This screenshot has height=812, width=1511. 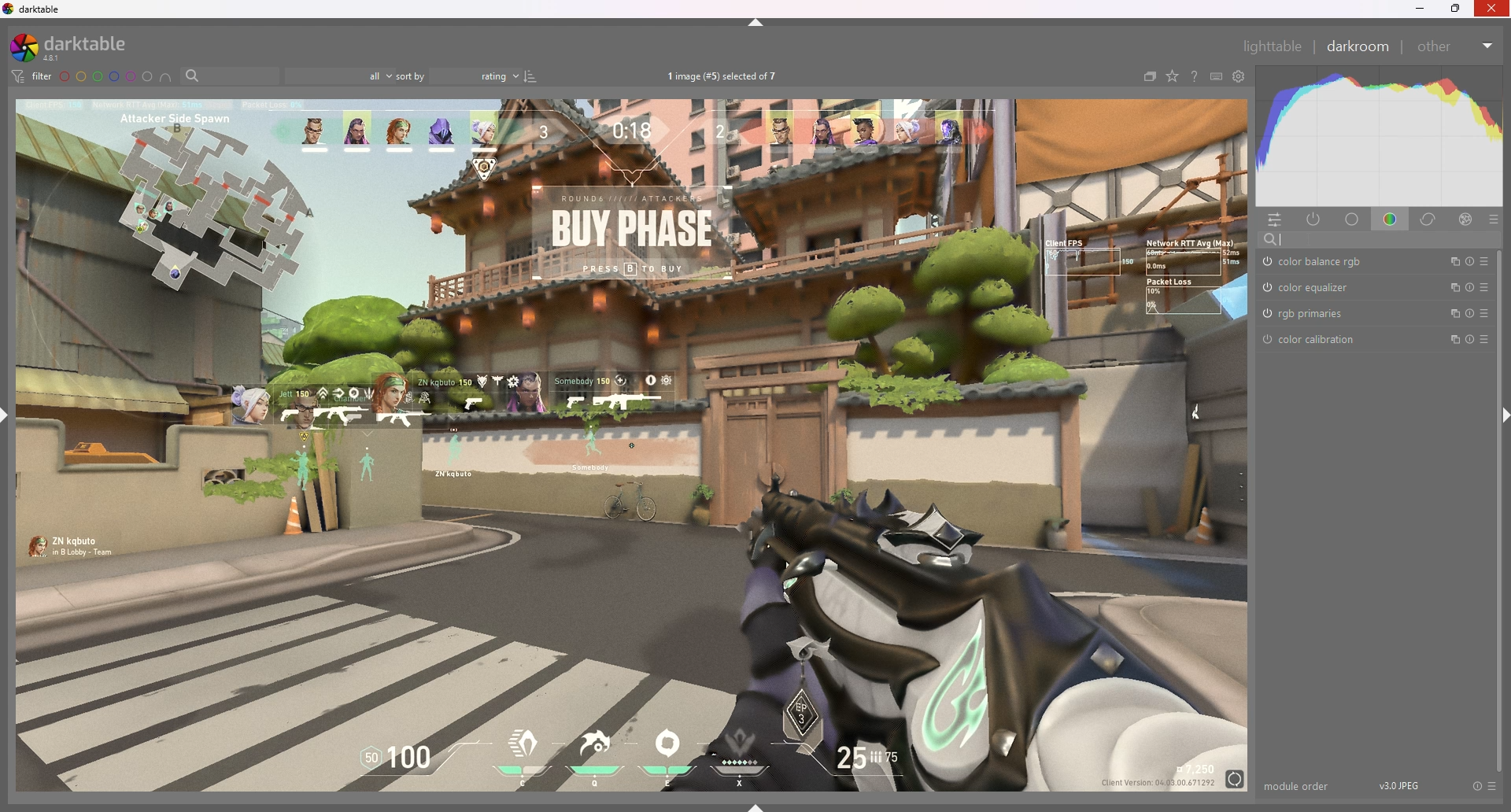 I want to click on show, so click(x=756, y=806).